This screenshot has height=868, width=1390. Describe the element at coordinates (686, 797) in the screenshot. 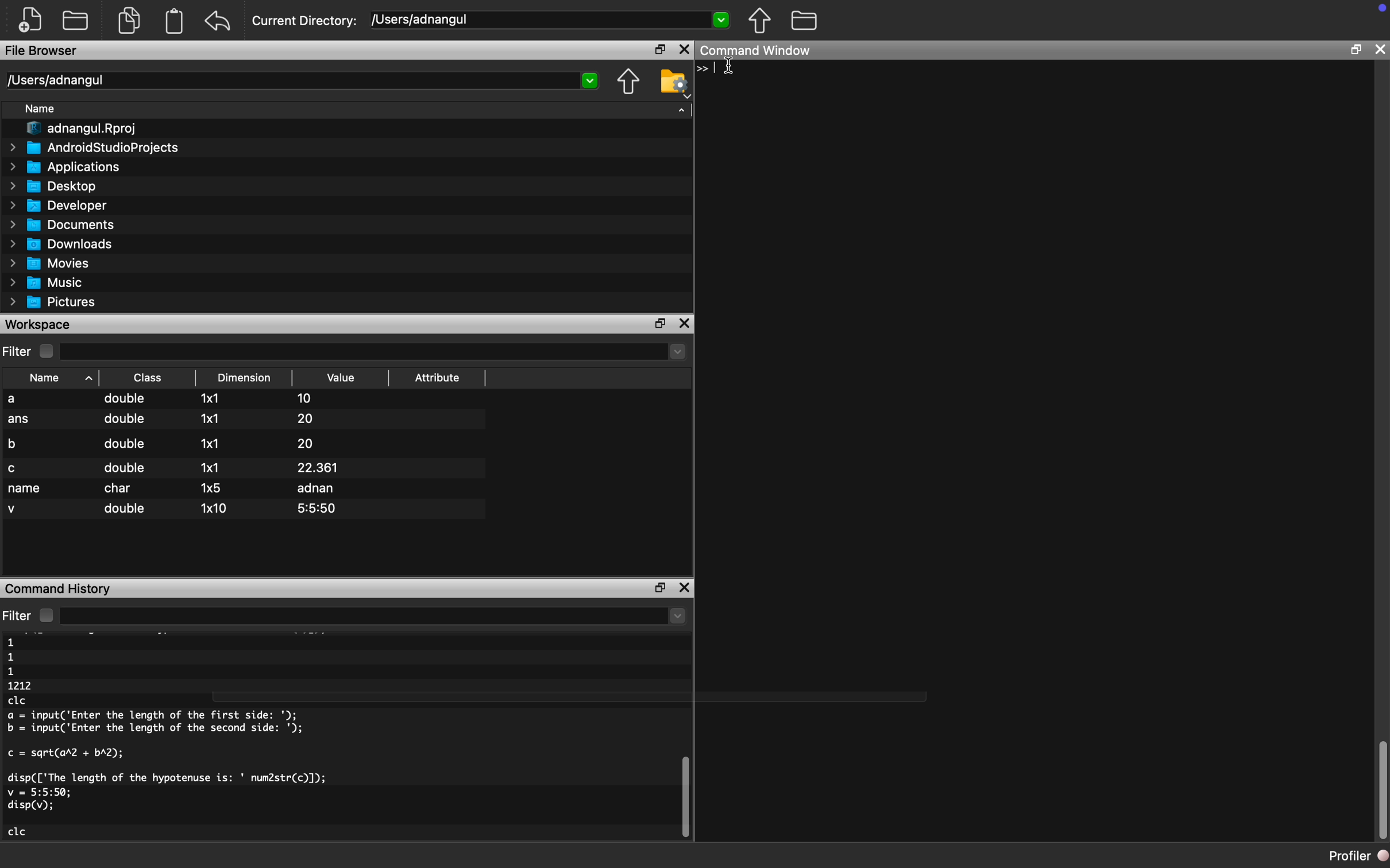

I see `scroll bar` at that location.